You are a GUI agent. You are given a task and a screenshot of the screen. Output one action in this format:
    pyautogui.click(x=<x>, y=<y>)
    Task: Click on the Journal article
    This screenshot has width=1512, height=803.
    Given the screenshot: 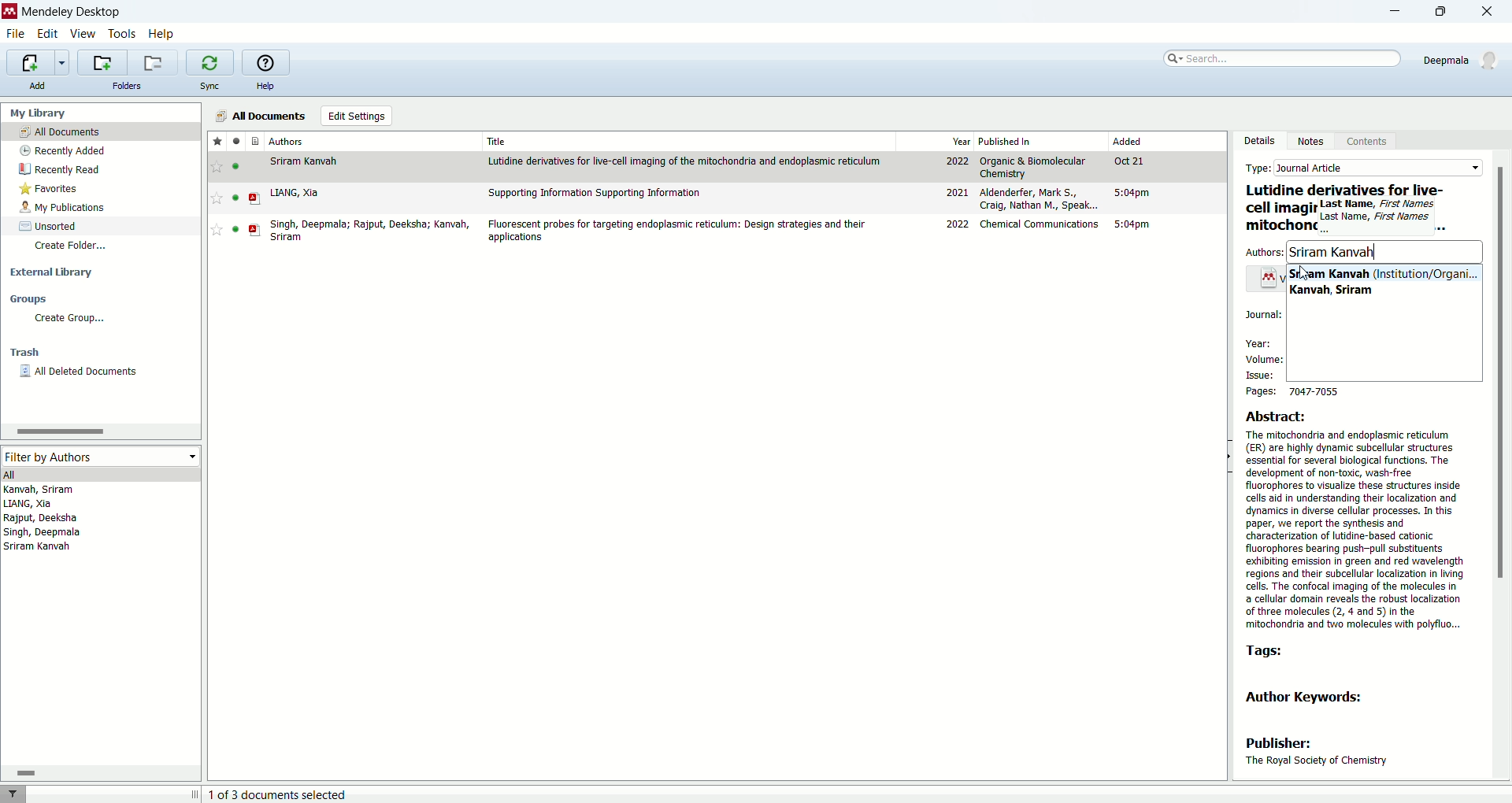 What is the action you would take?
    pyautogui.click(x=1380, y=168)
    